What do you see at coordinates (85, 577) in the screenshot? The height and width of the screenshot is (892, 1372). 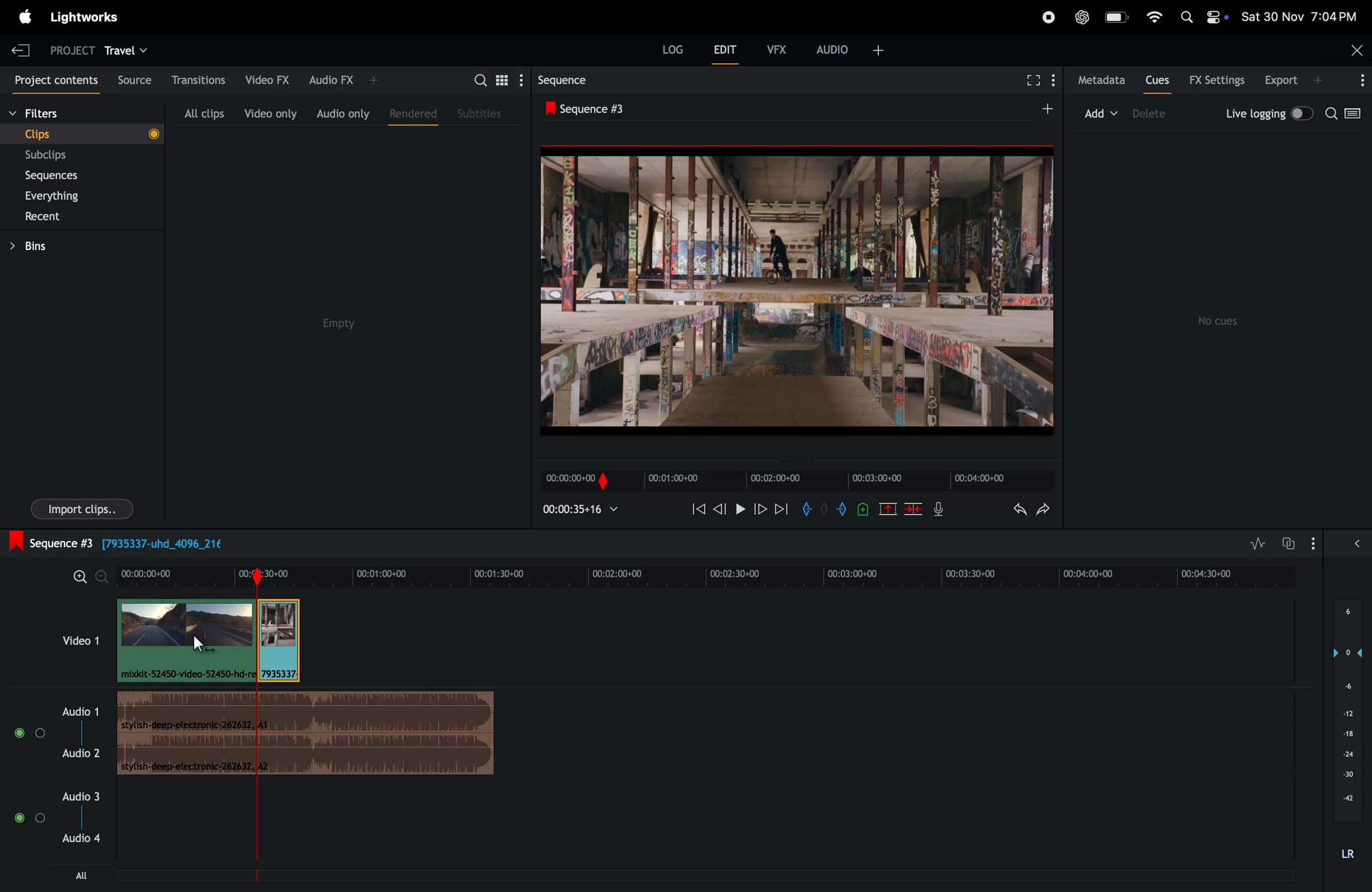 I see `zoom in zoom out` at bounding box center [85, 577].